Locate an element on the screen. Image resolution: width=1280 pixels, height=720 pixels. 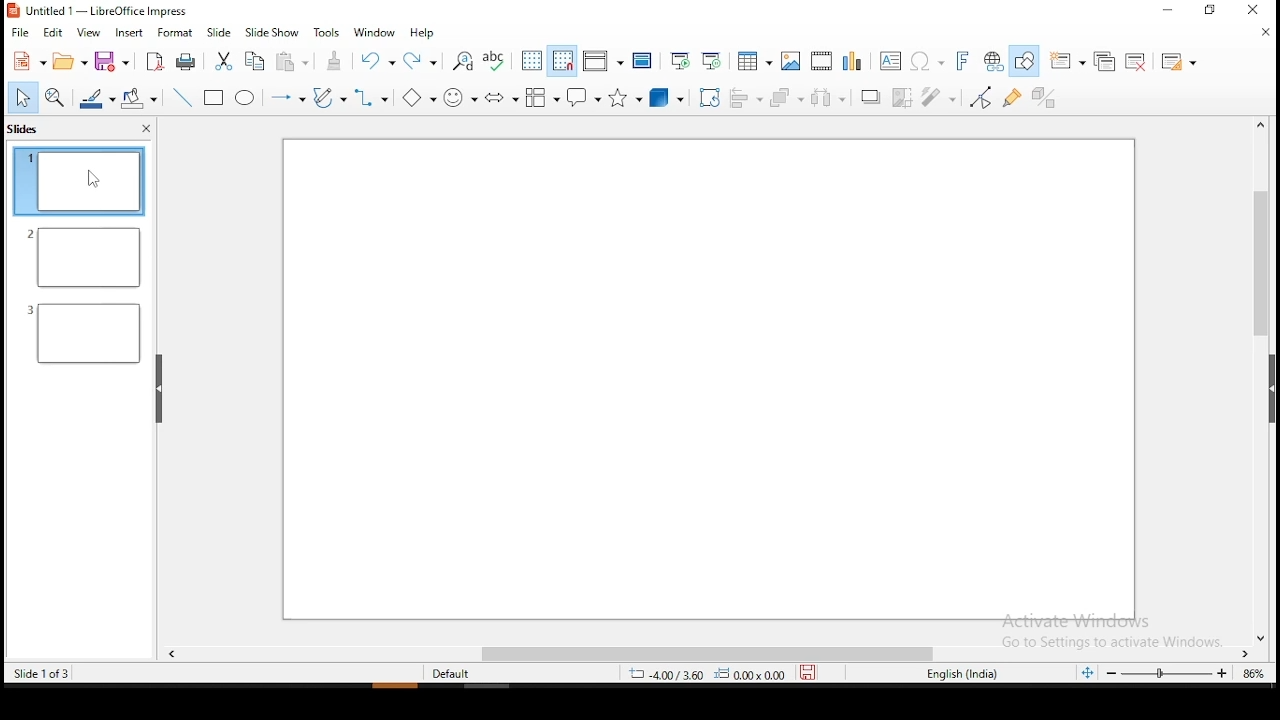
toggle extrusion is located at coordinates (1046, 99).